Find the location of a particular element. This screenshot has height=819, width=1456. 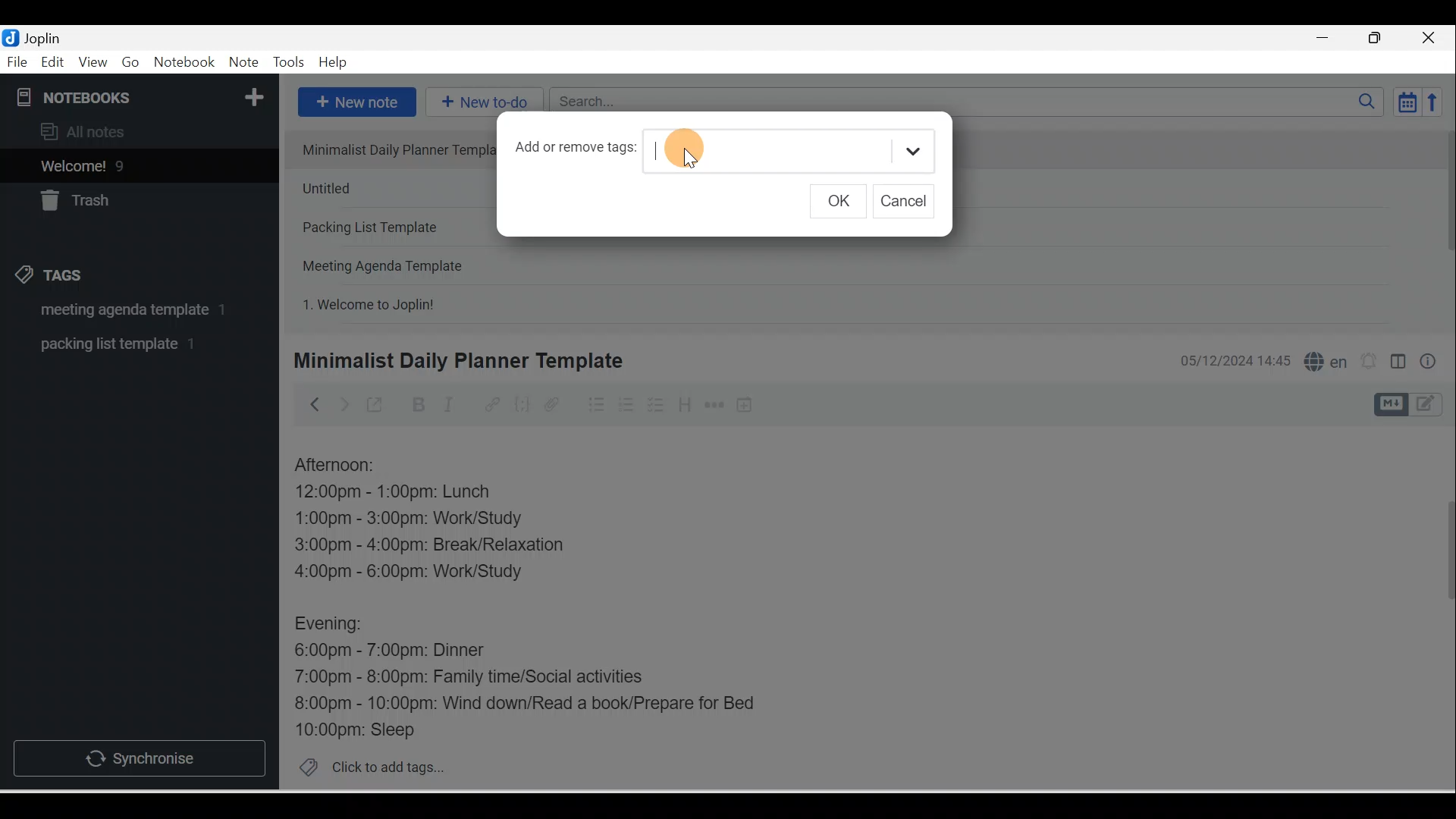

Forward is located at coordinates (343, 403).